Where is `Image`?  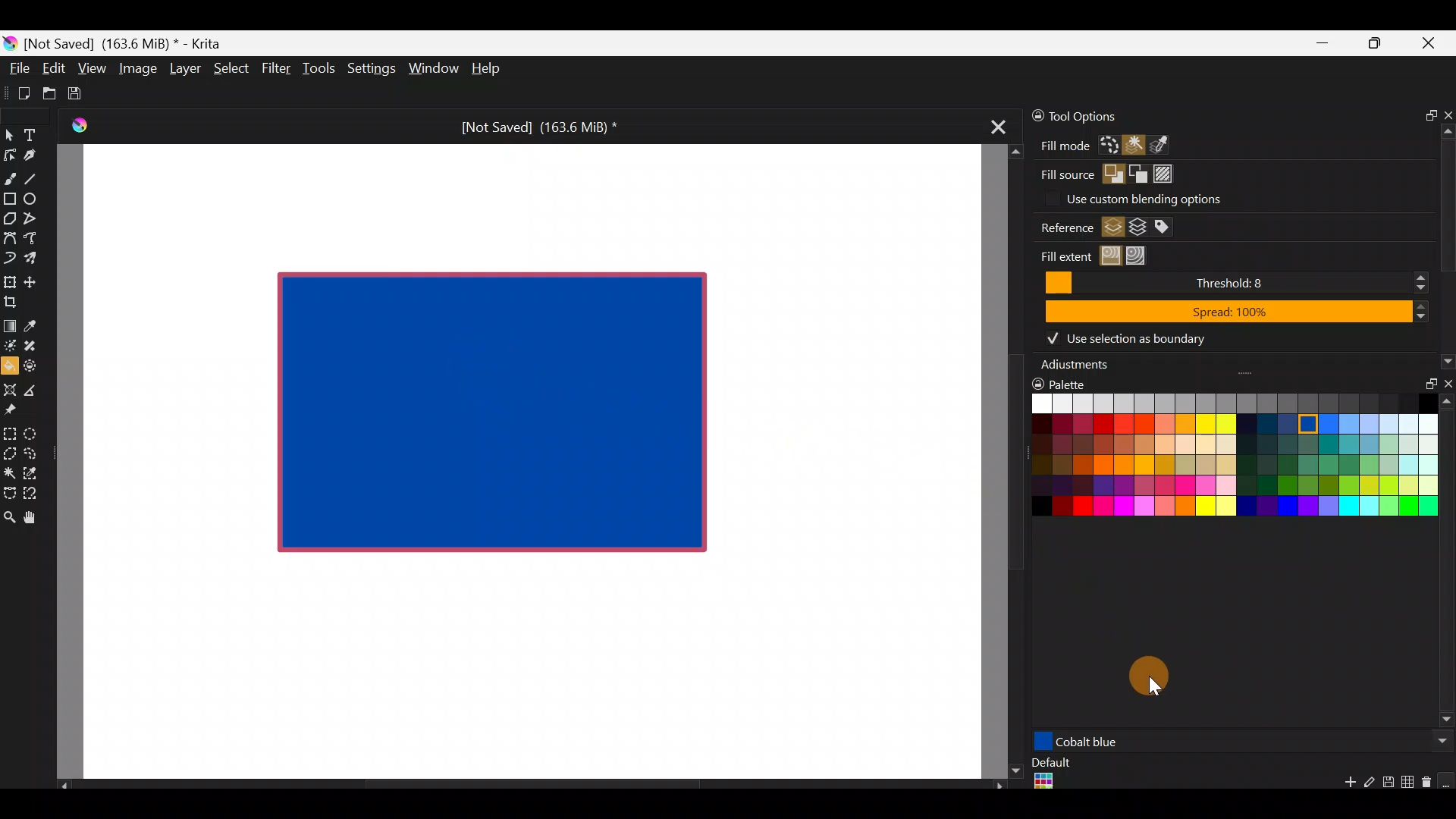 Image is located at coordinates (138, 70).